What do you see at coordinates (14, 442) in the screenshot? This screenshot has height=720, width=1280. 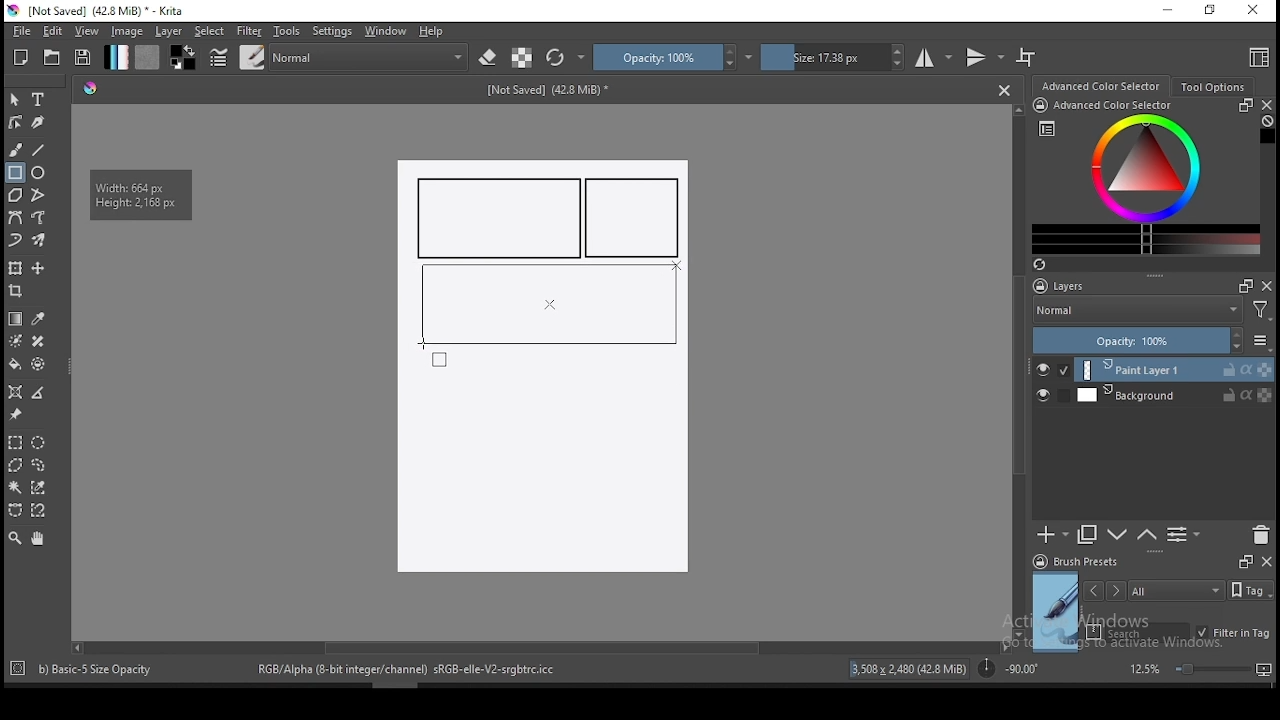 I see `rectangular selection tool` at bounding box center [14, 442].